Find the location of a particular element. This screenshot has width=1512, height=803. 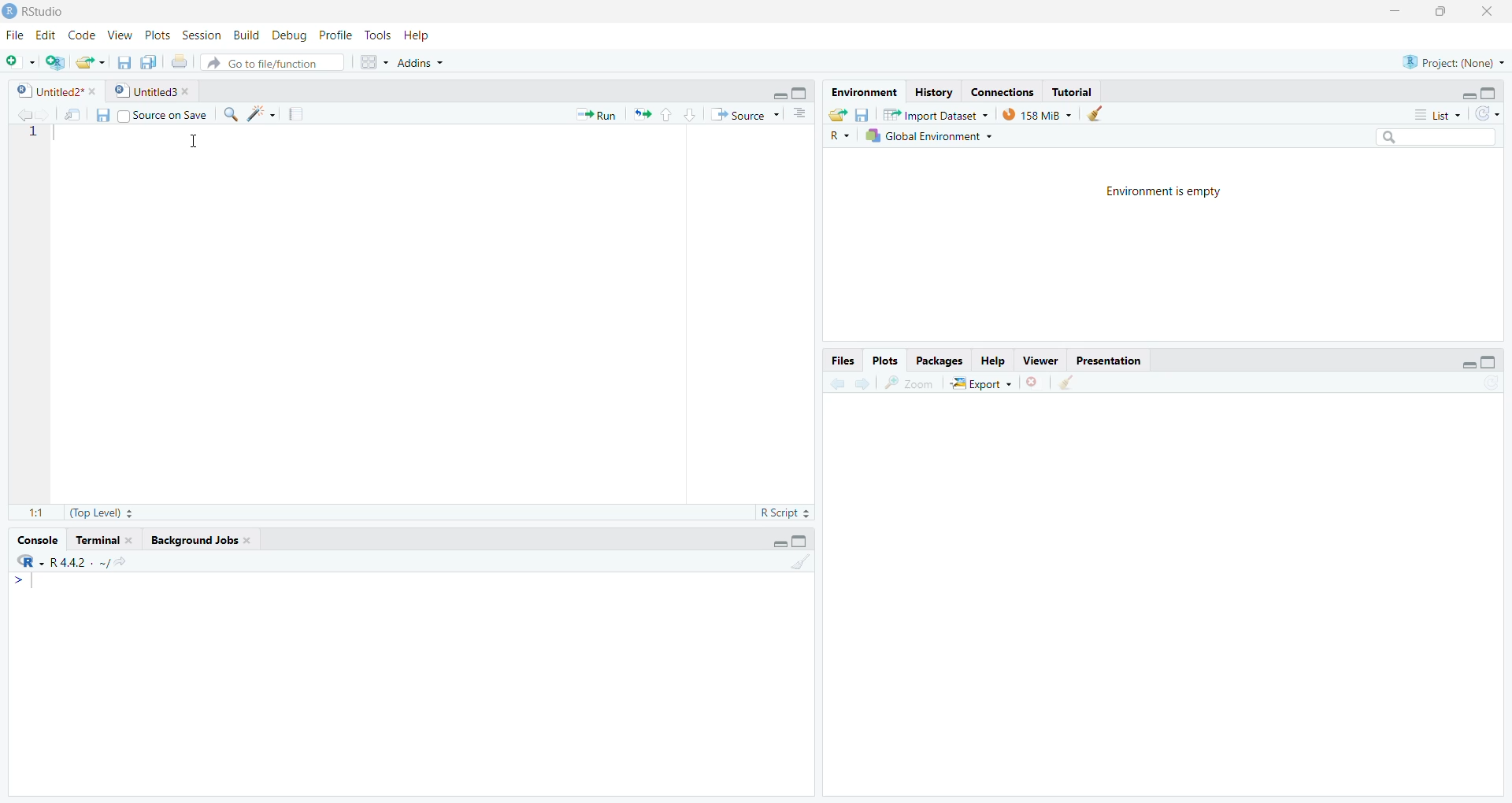

Packages is located at coordinates (937, 360).